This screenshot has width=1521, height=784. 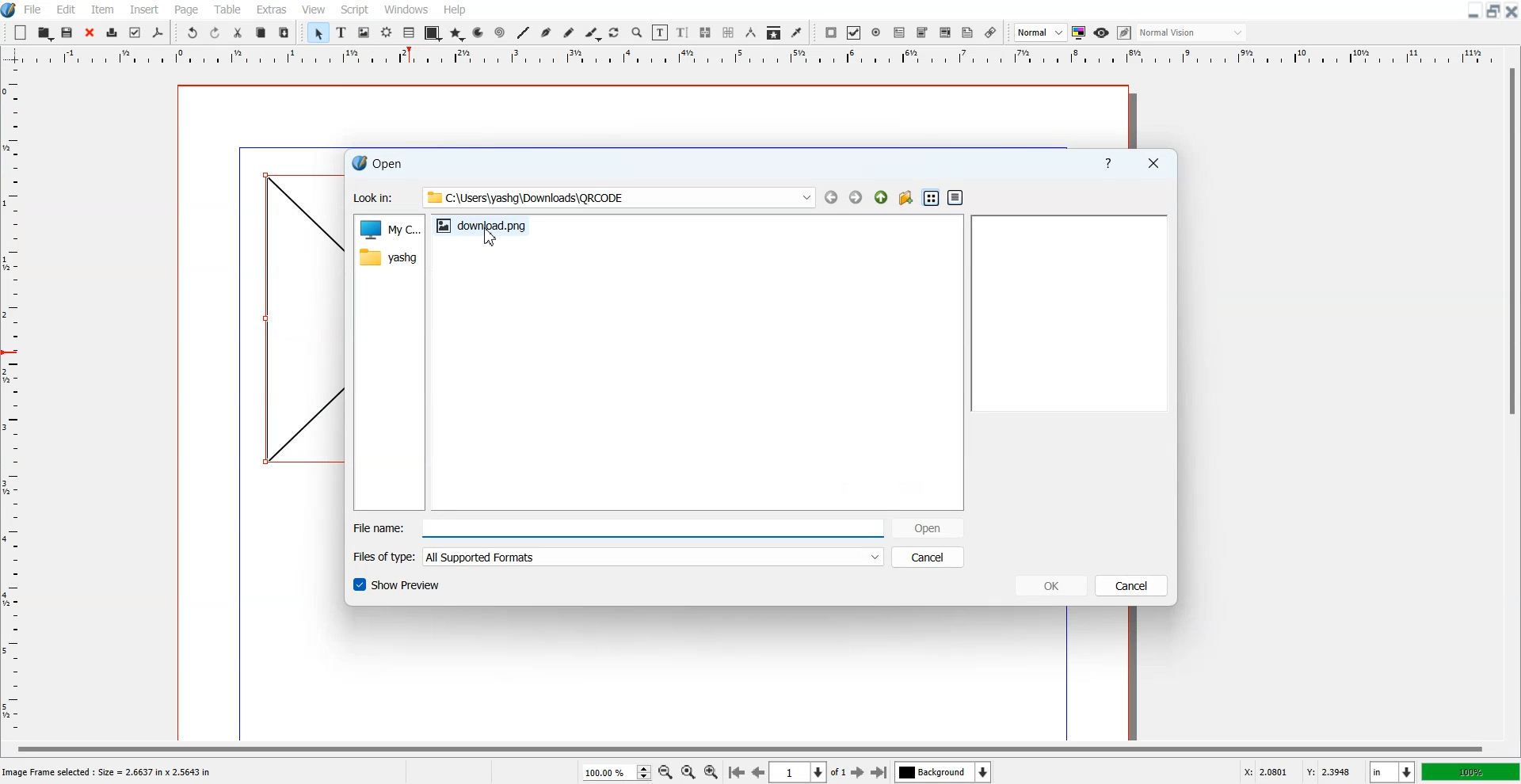 What do you see at coordinates (388, 256) in the screenshot?
I see `yashg` at bounding box center [388, 256].